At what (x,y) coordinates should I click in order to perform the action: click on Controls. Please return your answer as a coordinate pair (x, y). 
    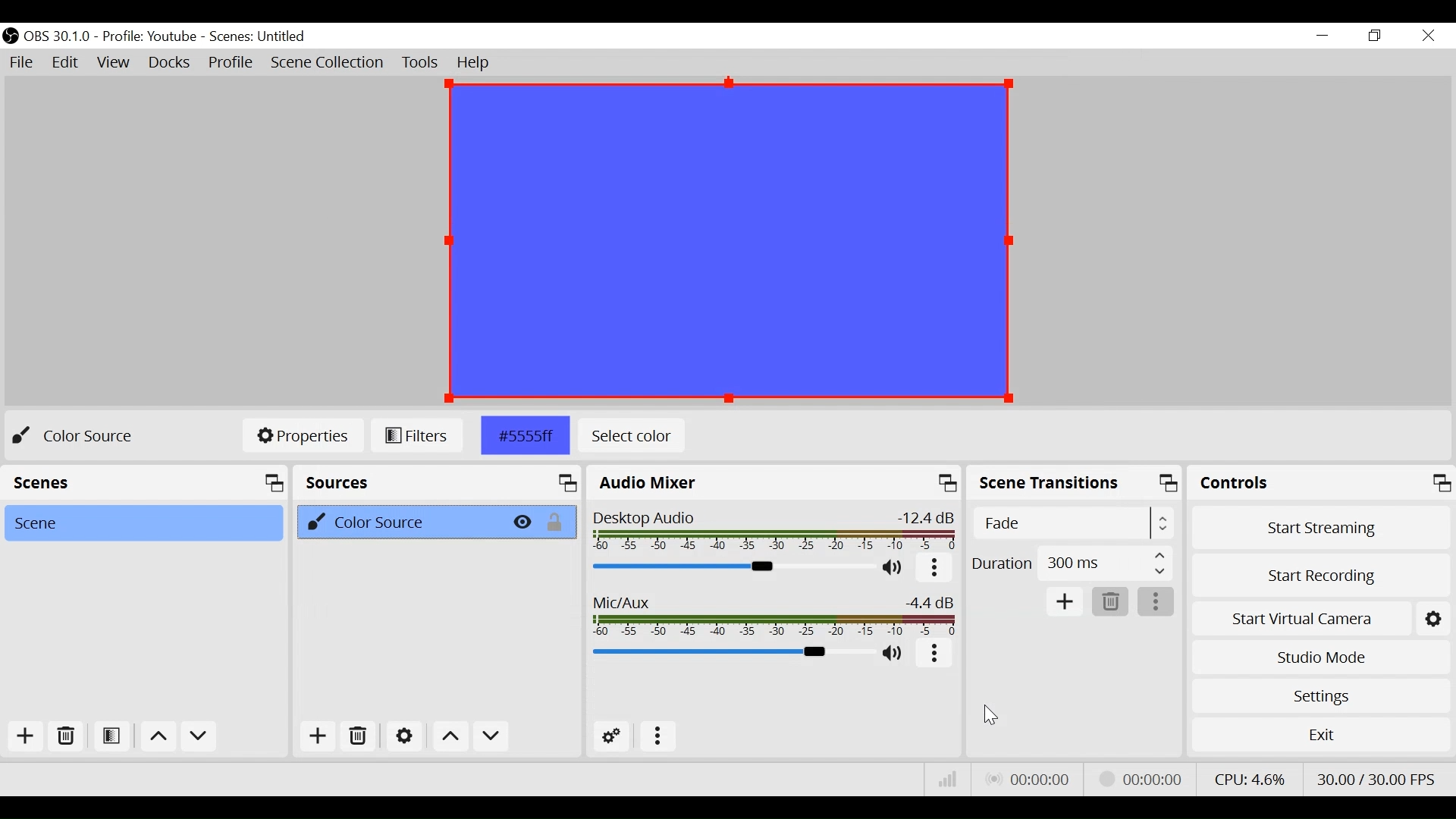
    Looking at the image, I should click on (1322, 485).